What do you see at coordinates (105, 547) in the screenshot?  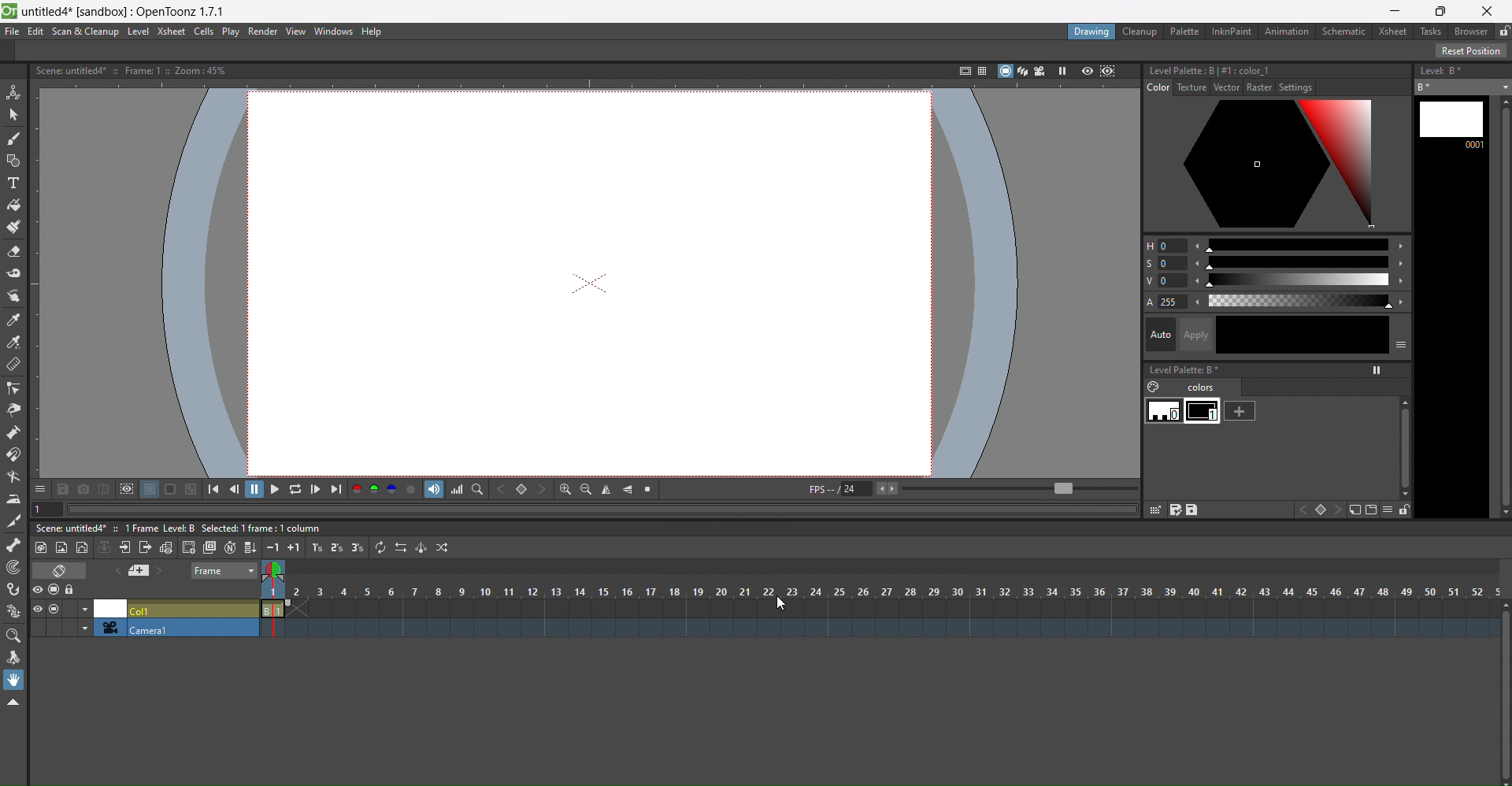 I see `collapse` at bounding box center [105, 547].